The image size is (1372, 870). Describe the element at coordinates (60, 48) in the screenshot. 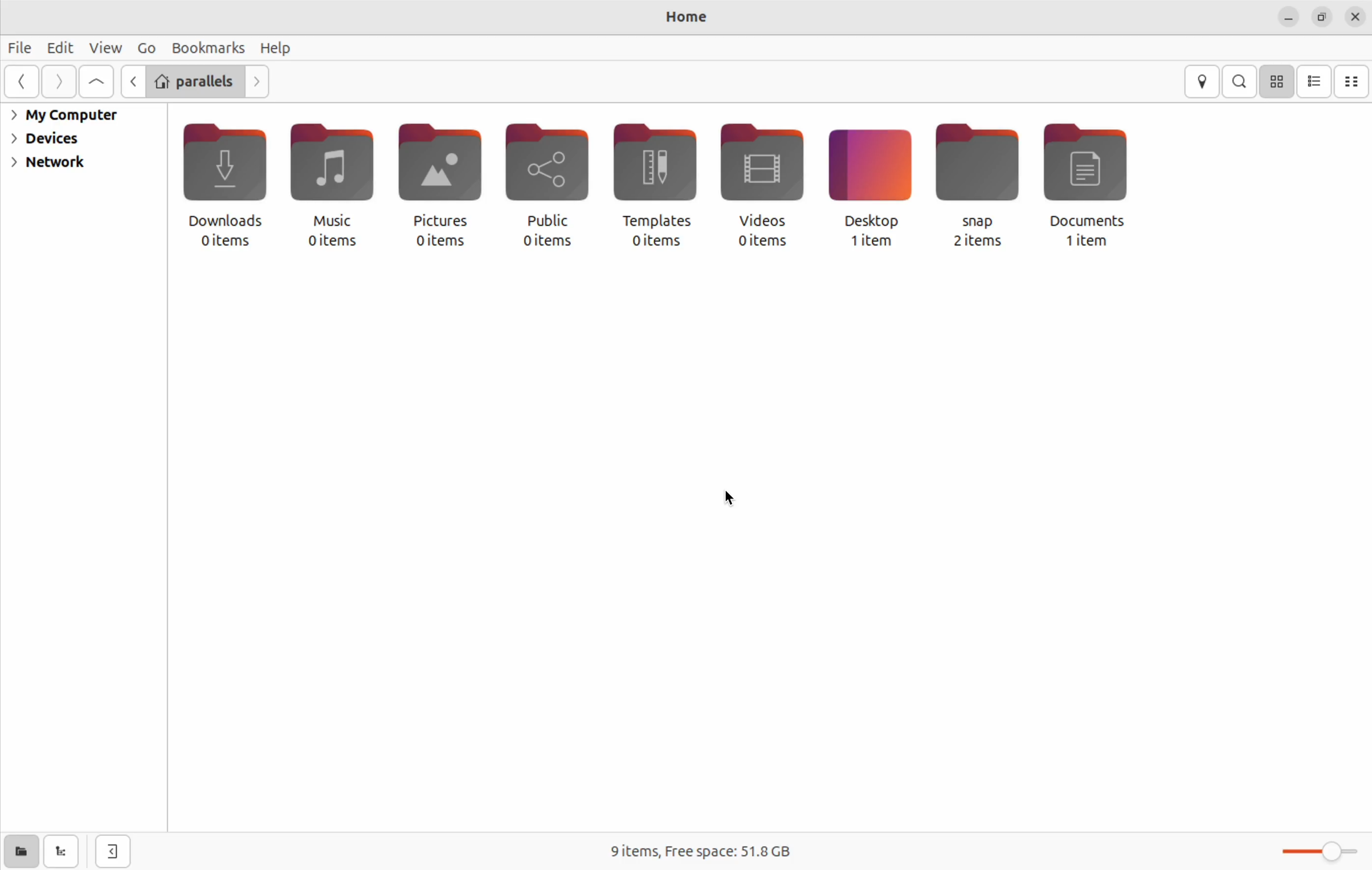

I see `Edit` at that location.